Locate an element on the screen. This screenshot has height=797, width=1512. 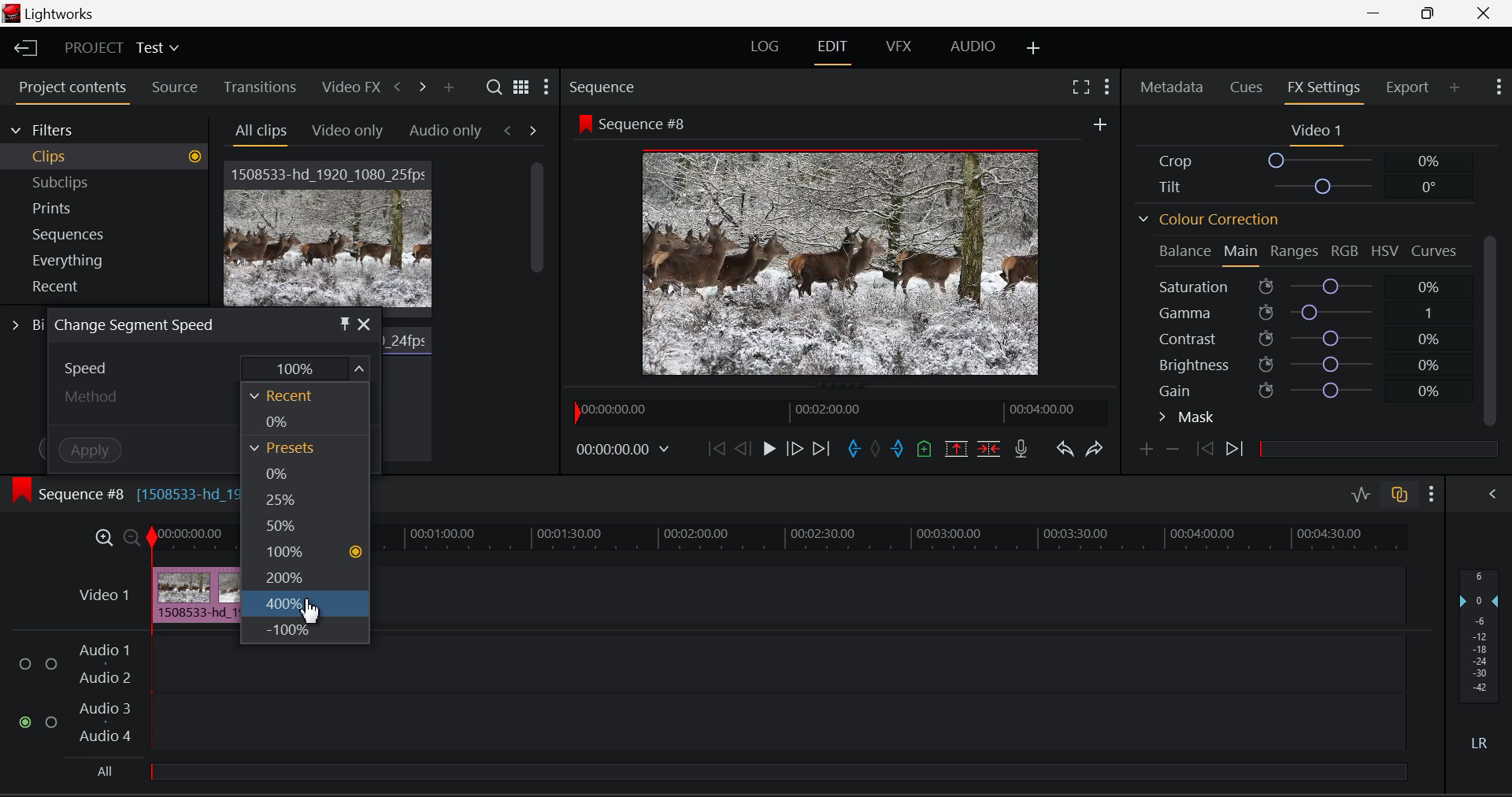
Brightness is located at coordinates (1307, 367).